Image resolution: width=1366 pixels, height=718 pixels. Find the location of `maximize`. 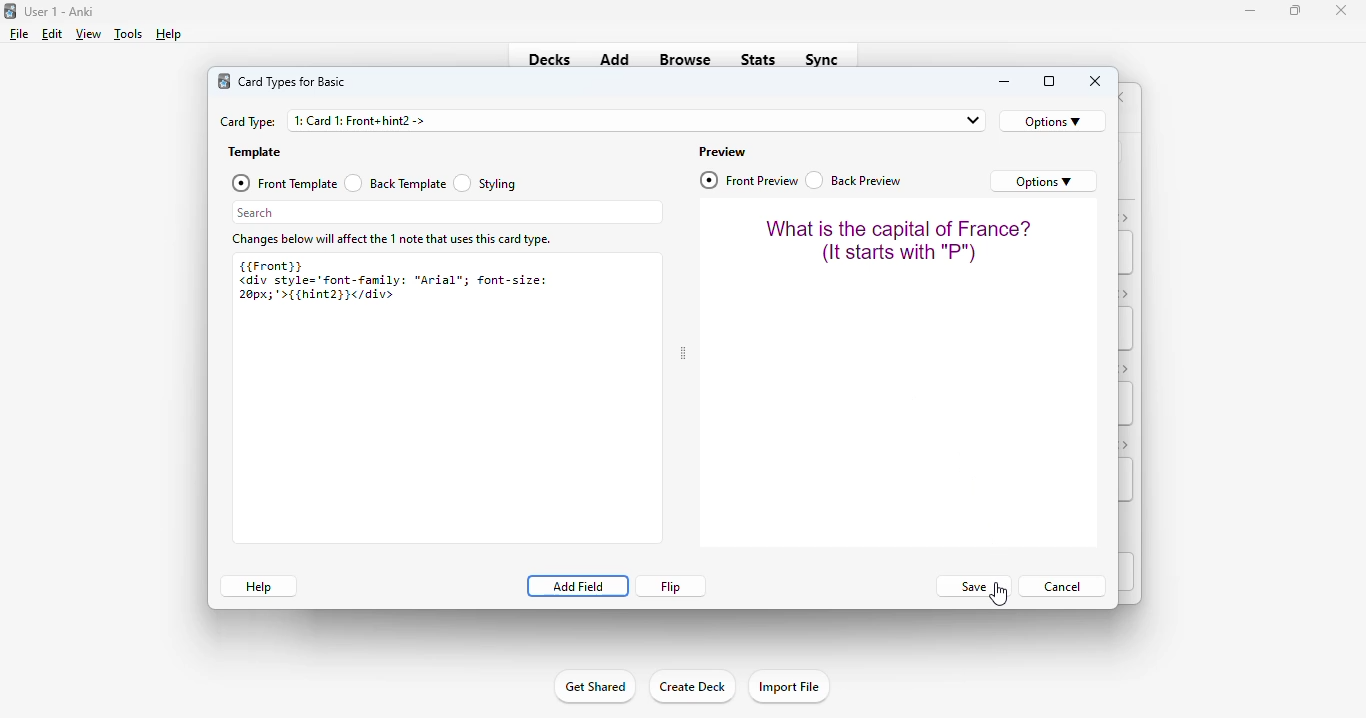

maximize is located at coordinates (1050, 82).